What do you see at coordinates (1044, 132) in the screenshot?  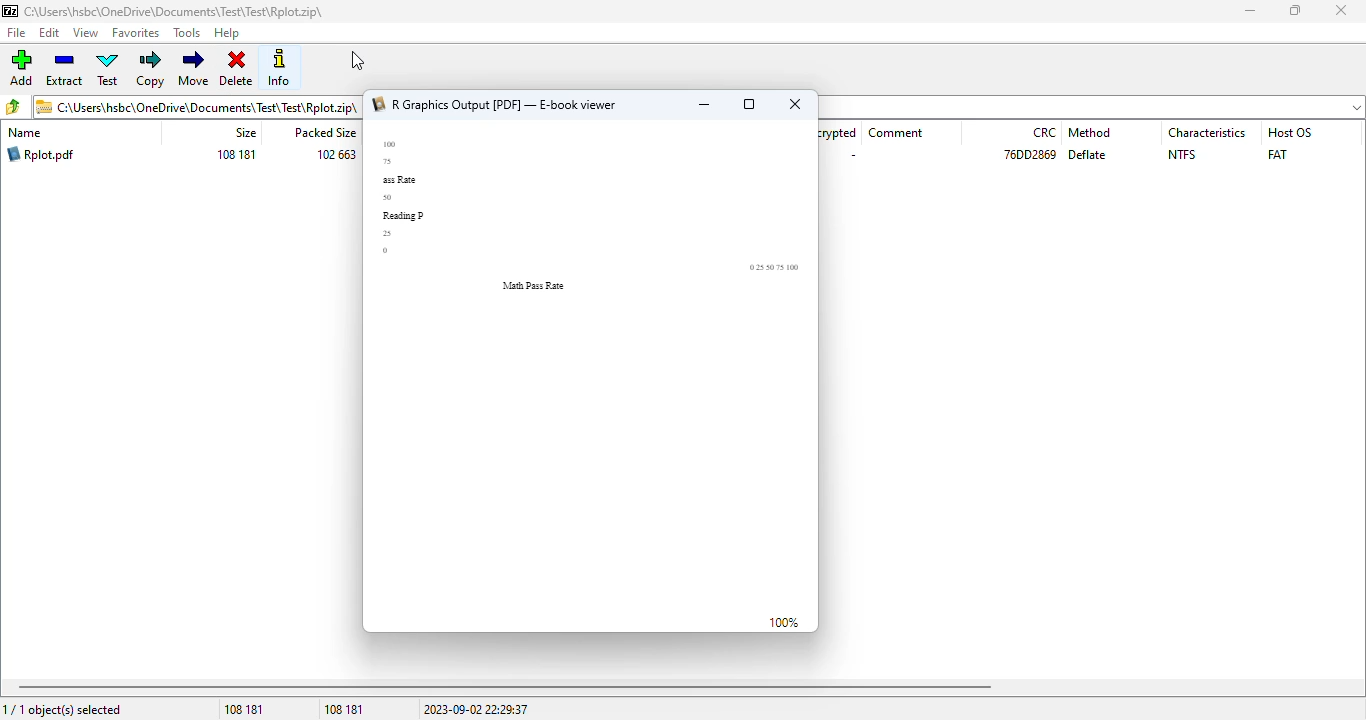 I see `CRC` at bounding box center [1044, 132].